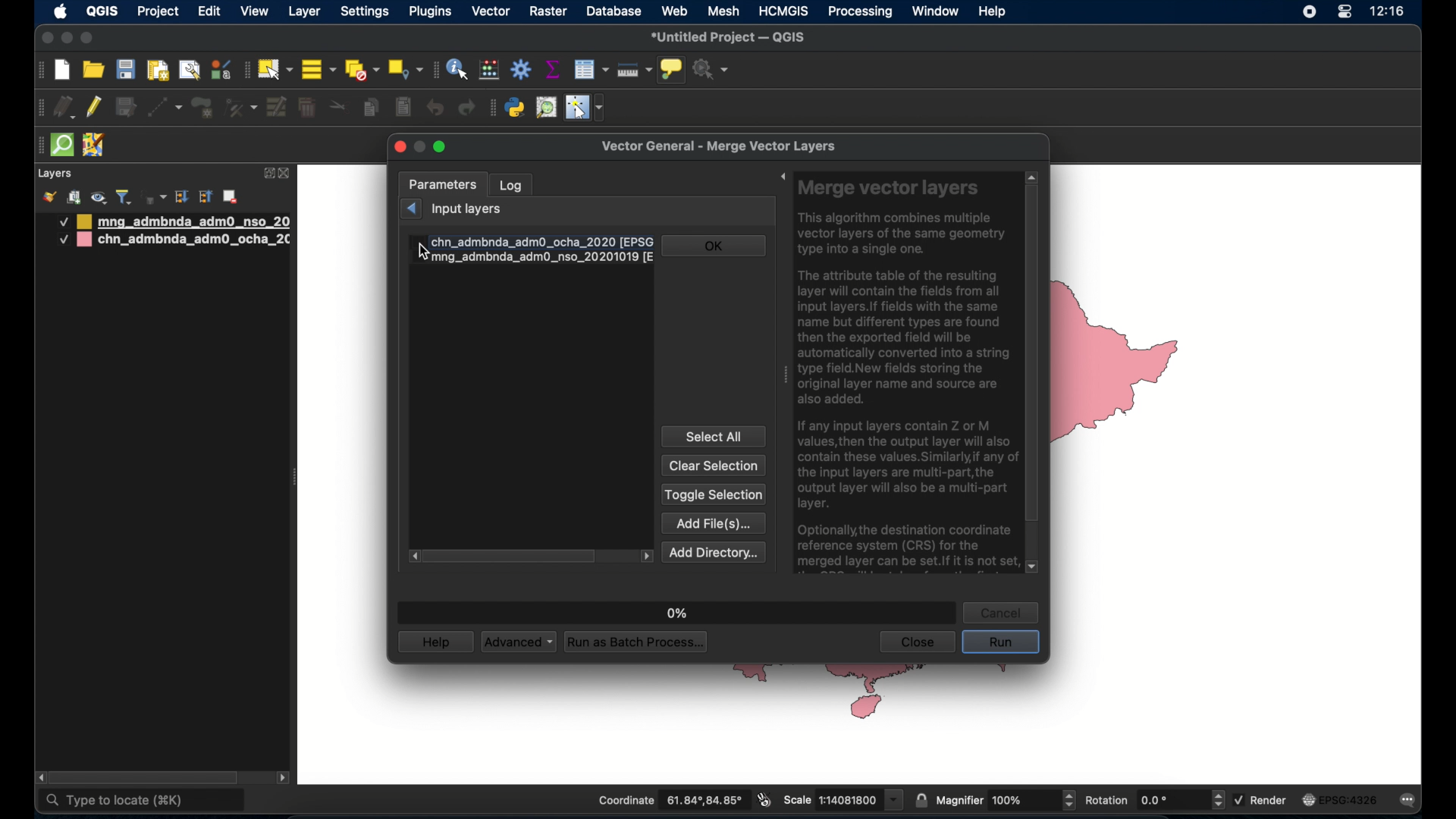  Describe the element at coordinates (518, 642) in the screenshot. I see `advanced` at that location.